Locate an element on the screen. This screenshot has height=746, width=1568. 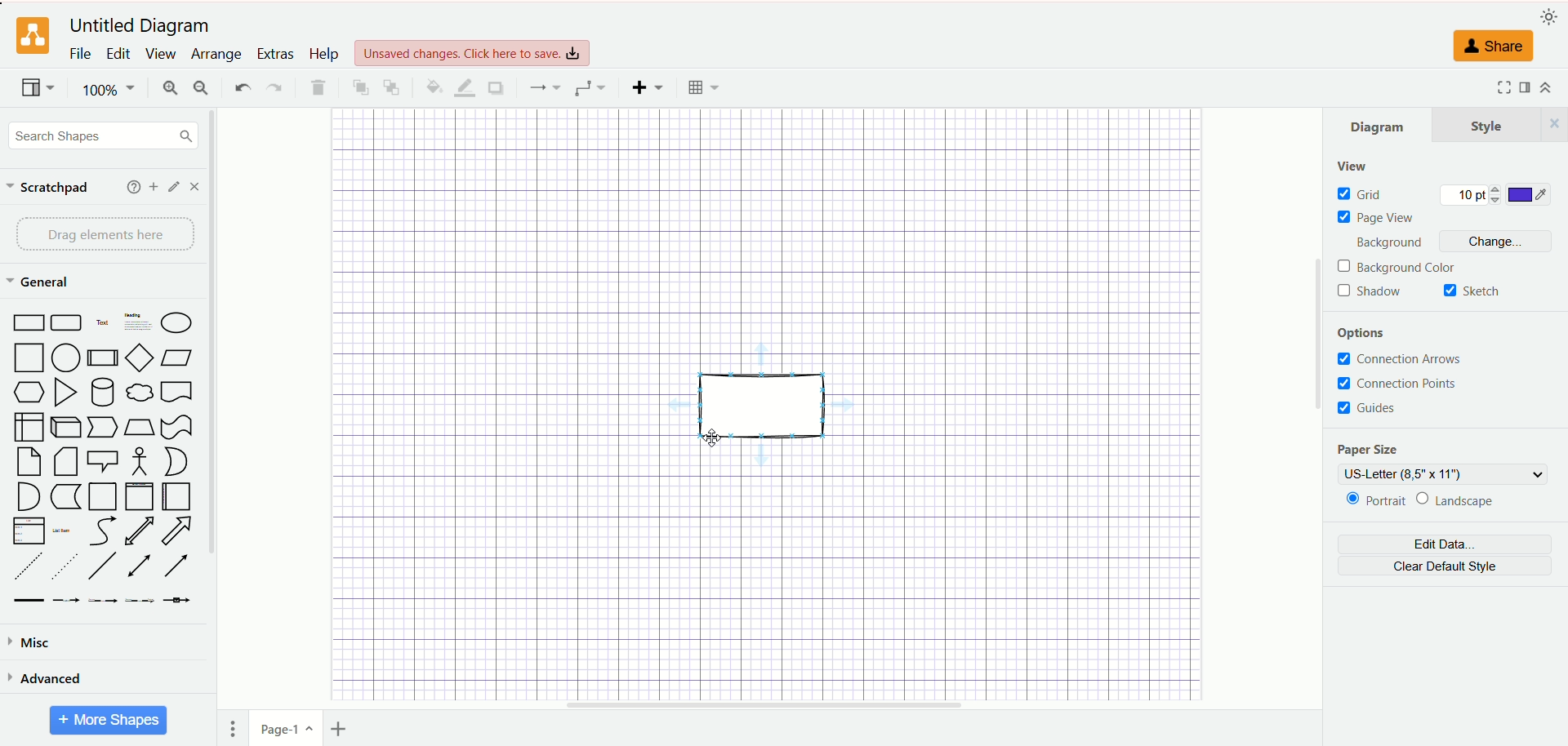
delete is located at coordinates (316, 86).